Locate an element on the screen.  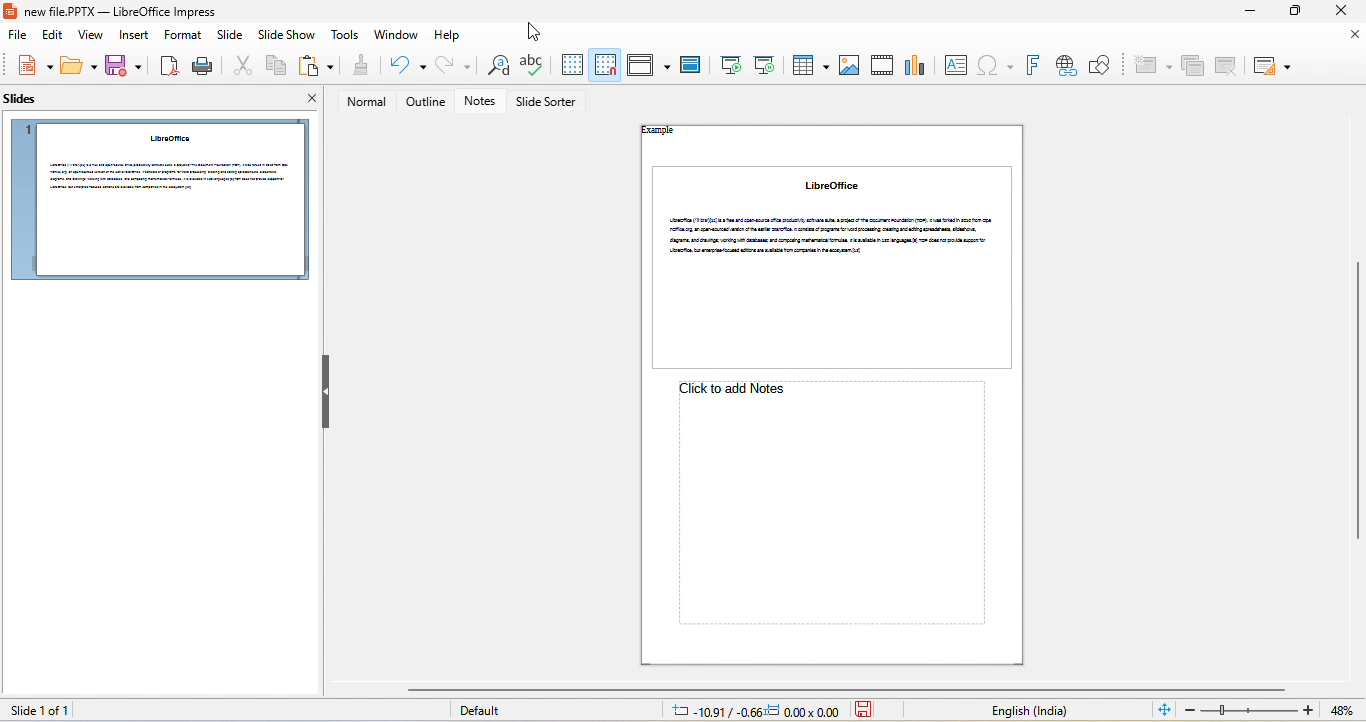
new slide is located at coordinates (1151, 66).